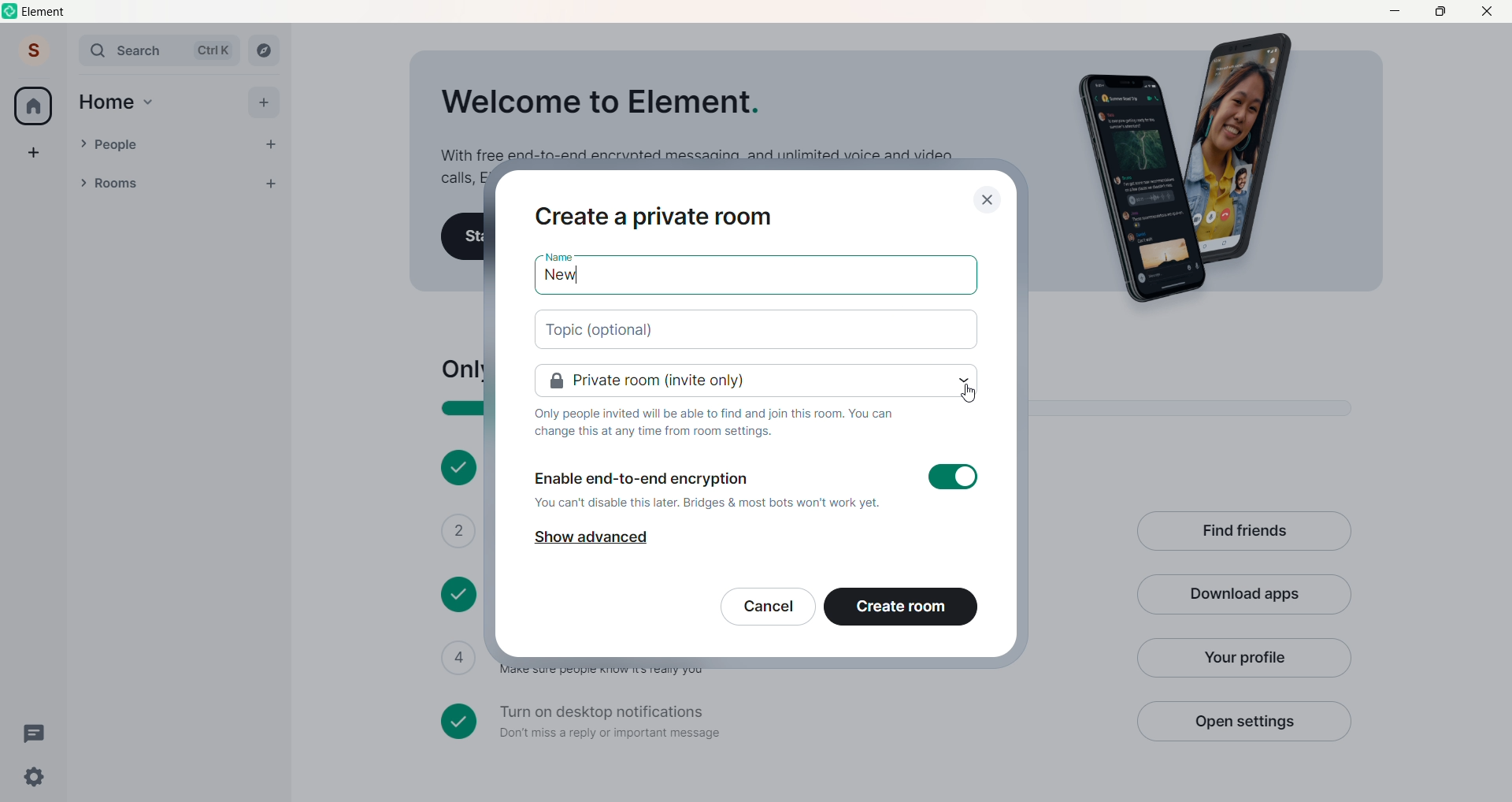 The height and width of the screenshot is (802, 1512). Describe the element at coordinates (239, 184) in the screenshot. I see `List options` at that location.